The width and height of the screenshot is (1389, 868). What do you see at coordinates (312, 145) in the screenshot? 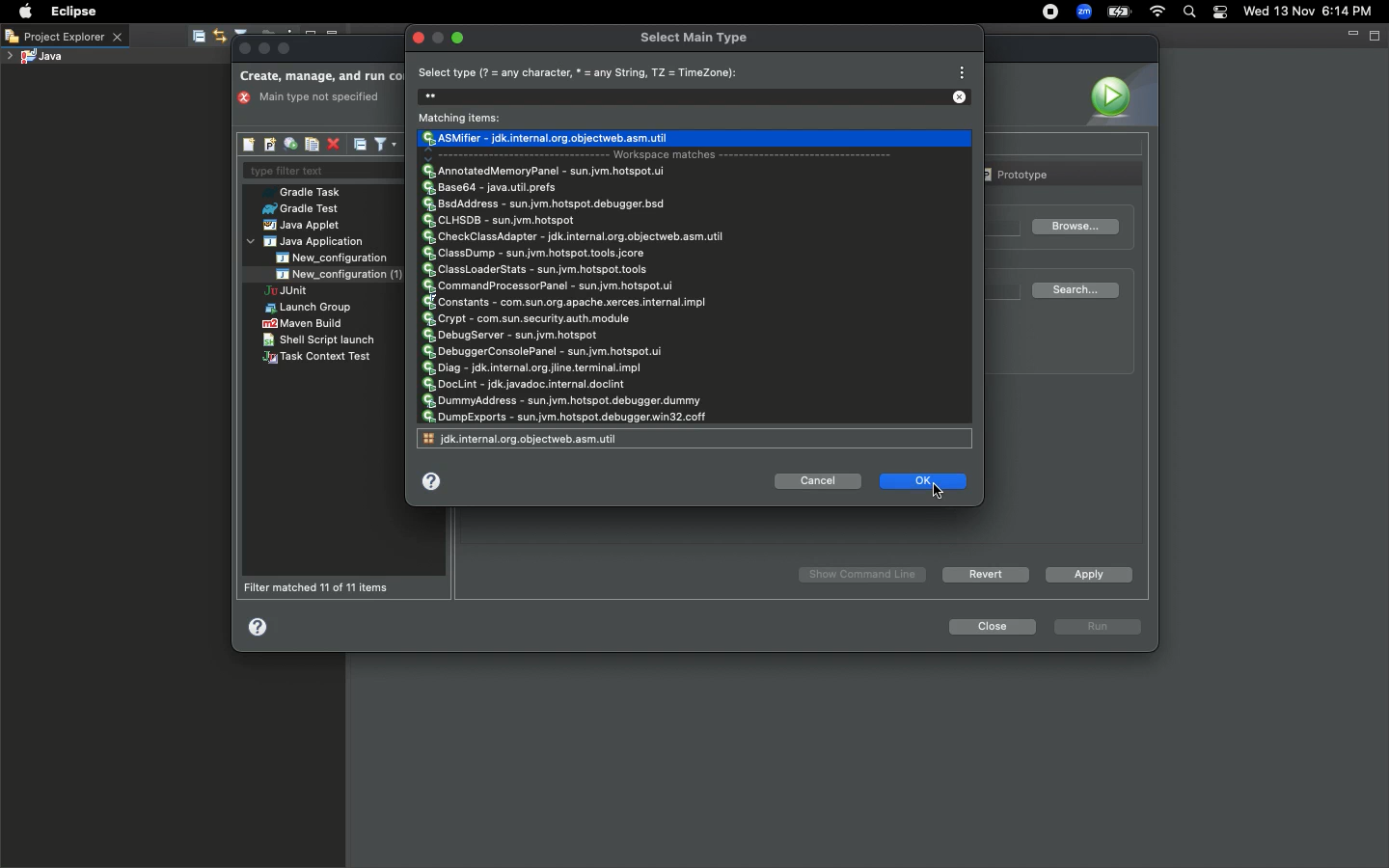
I see `Duplicates the currently selected launch configurations` at bounding box center [312, 145].